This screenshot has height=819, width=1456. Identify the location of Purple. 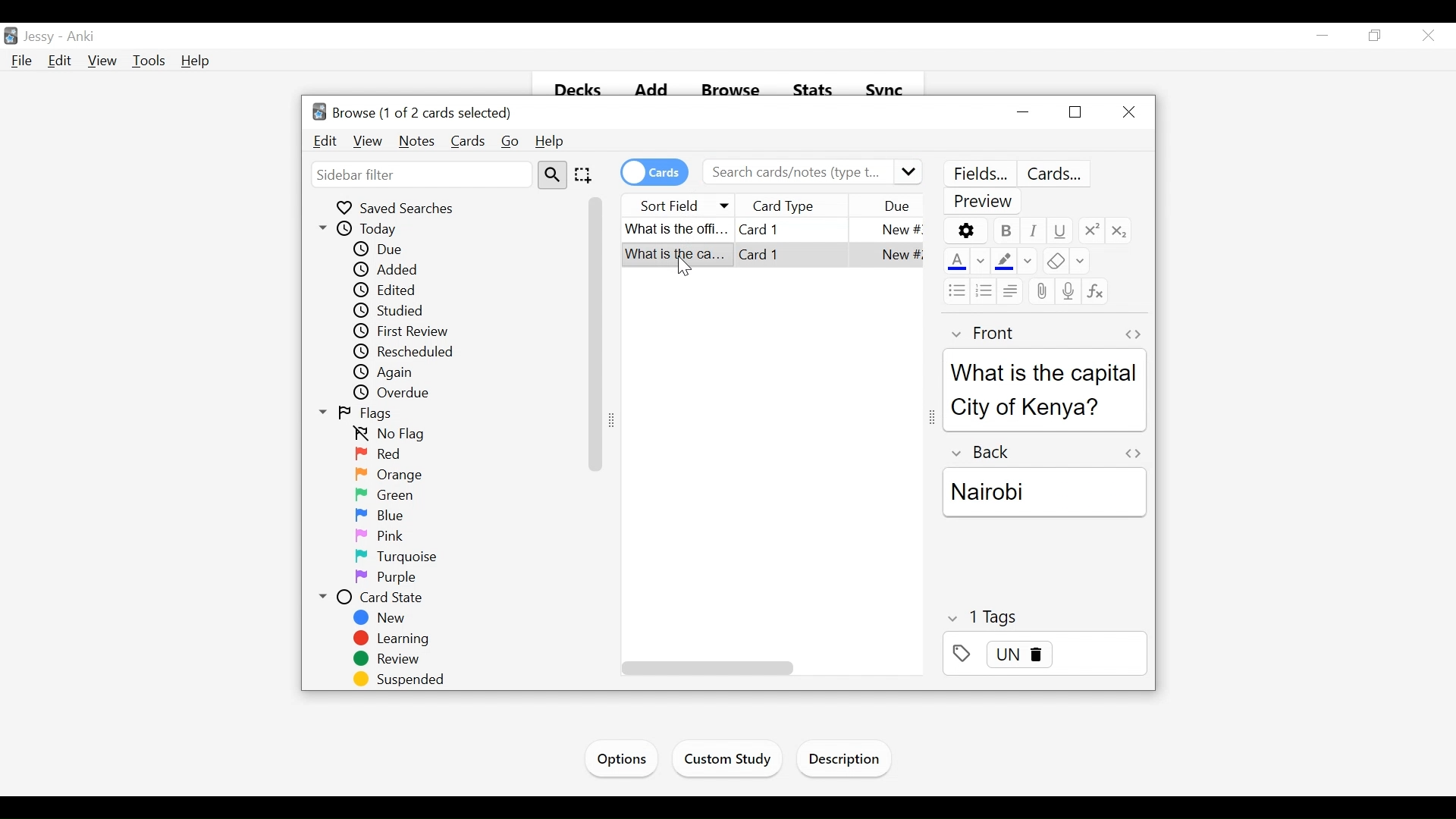
(385, 579).